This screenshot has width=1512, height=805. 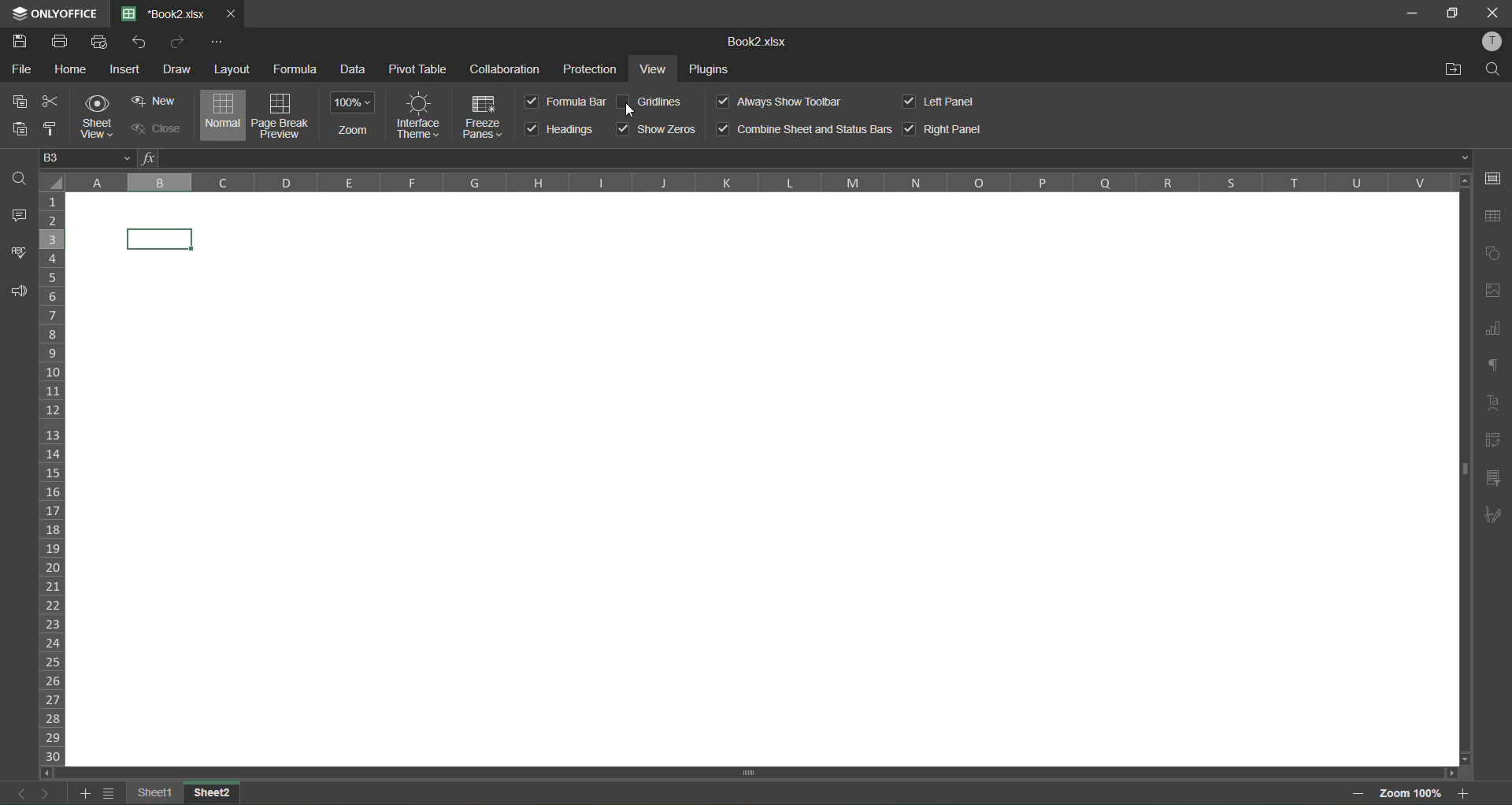 What do you see at coordinates (1362, 793) in the screenshot?
I see `zoom out` at bounding box center [1362, 793].